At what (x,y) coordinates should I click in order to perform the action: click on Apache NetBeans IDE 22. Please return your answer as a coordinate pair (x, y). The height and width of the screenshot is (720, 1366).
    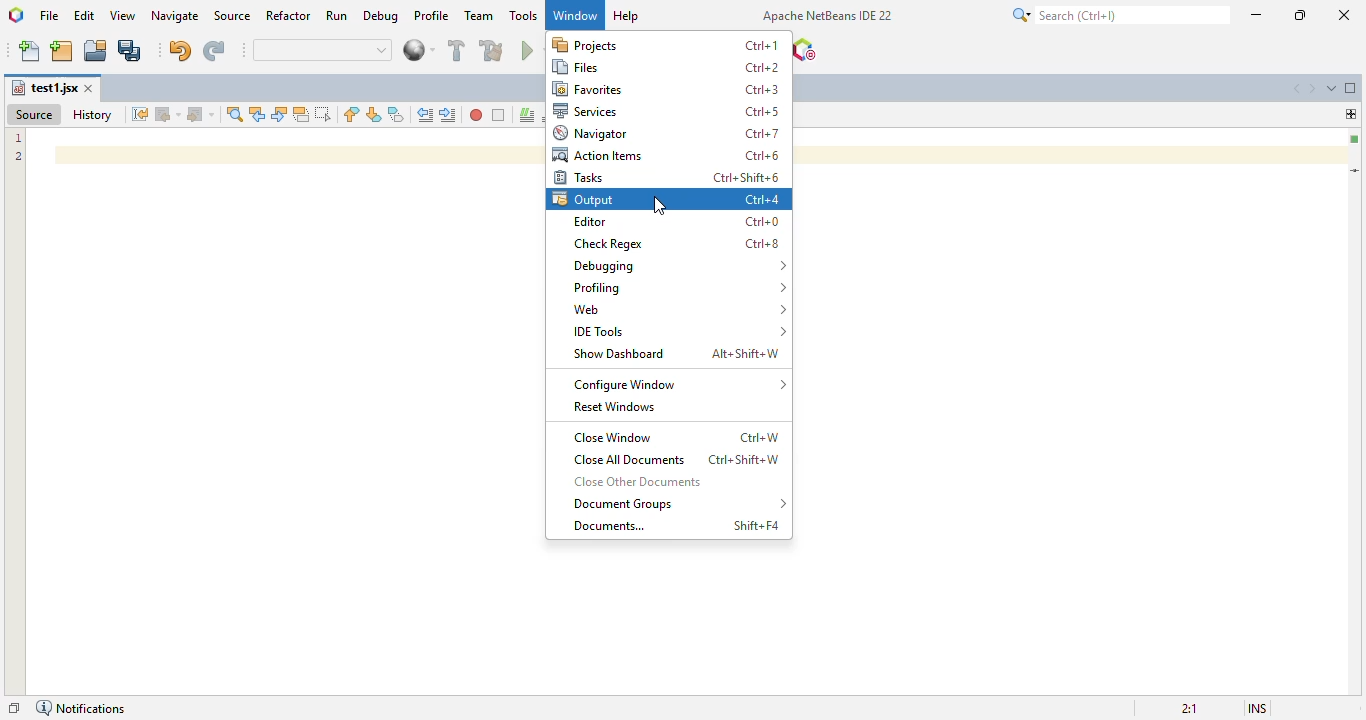
    Looking at the image, I should click on (826, 15).